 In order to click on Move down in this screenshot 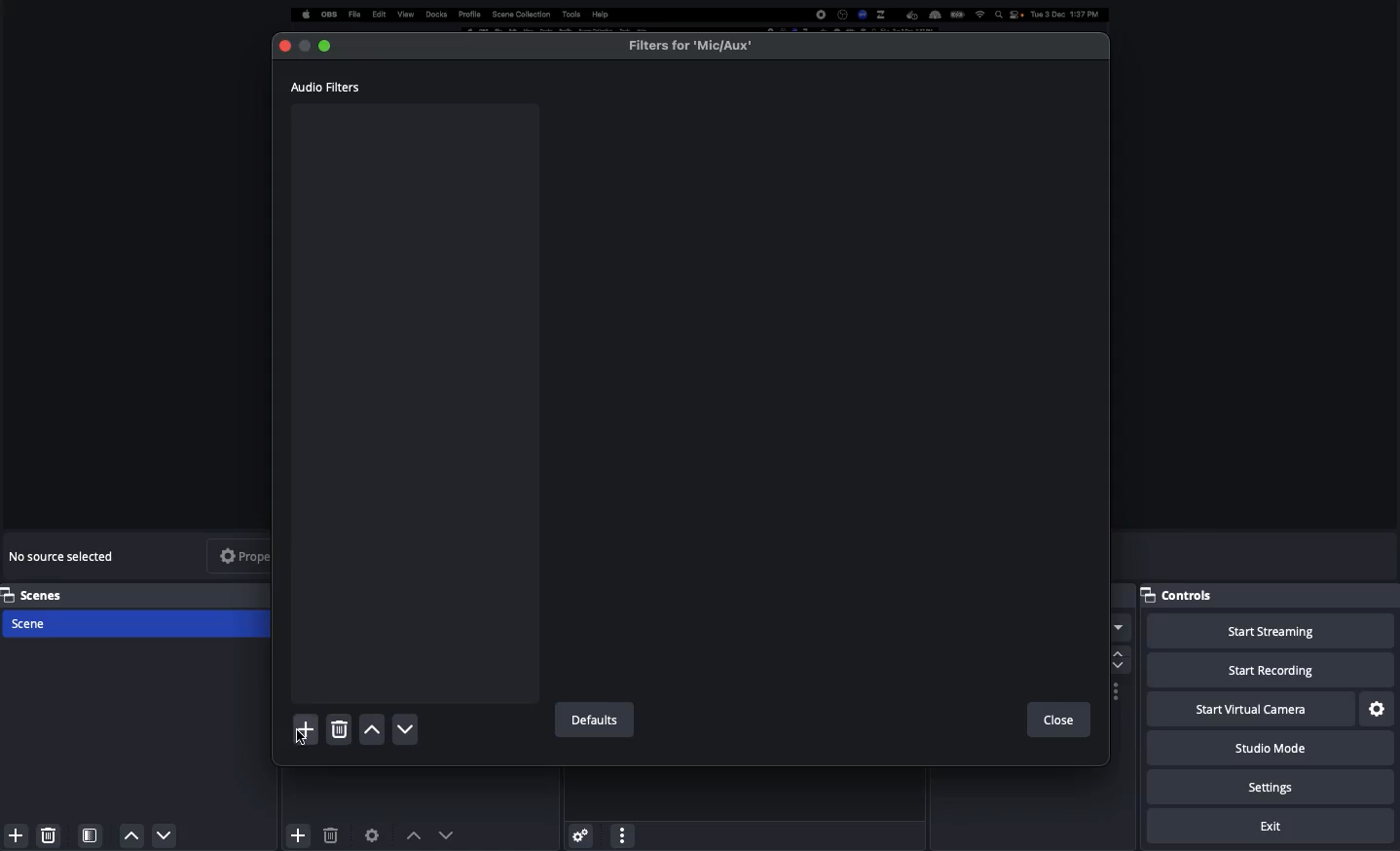, I will do `click(447, 834)`.